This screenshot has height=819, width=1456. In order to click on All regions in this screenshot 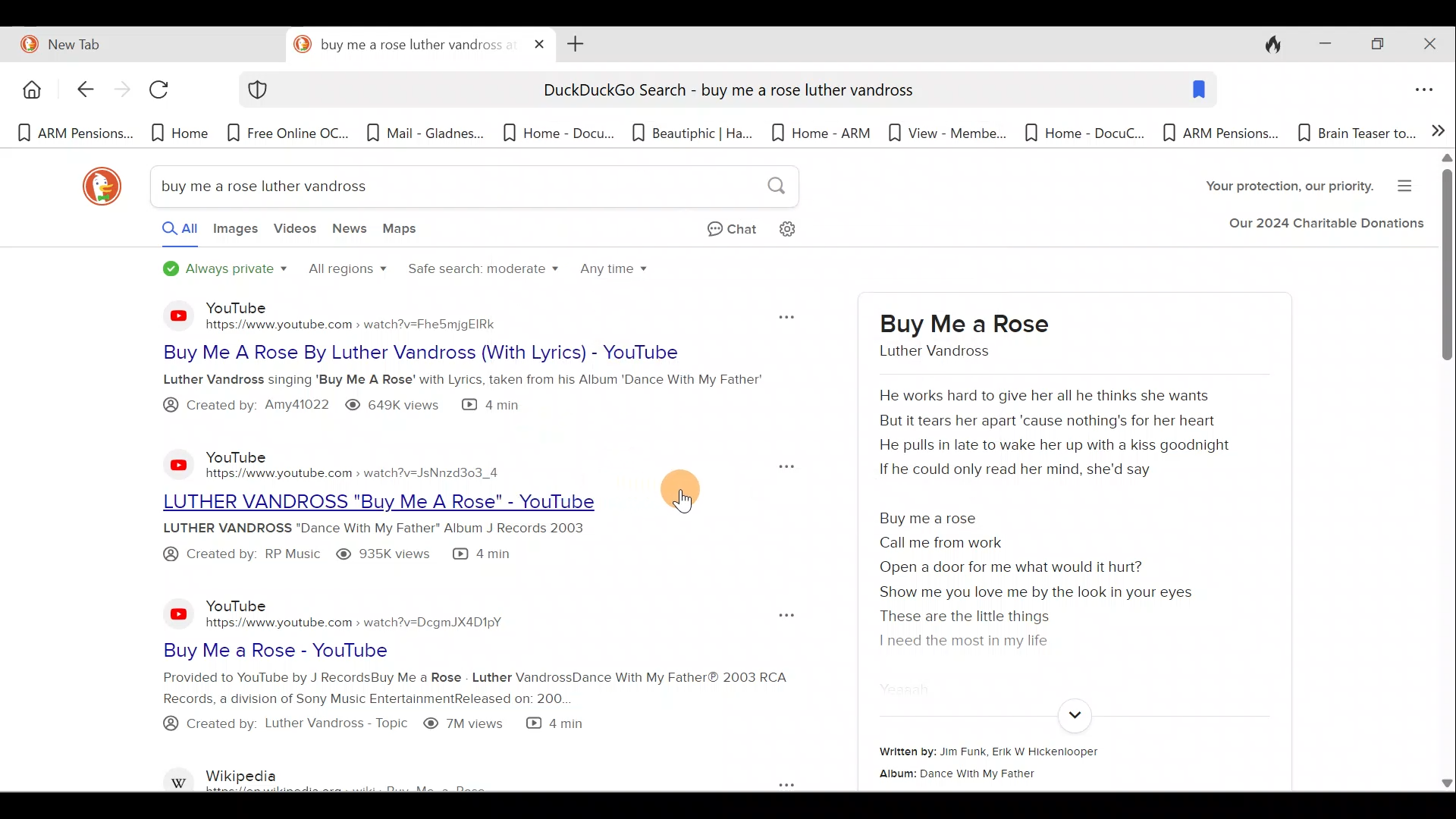, I will do `click(346, 271)`.